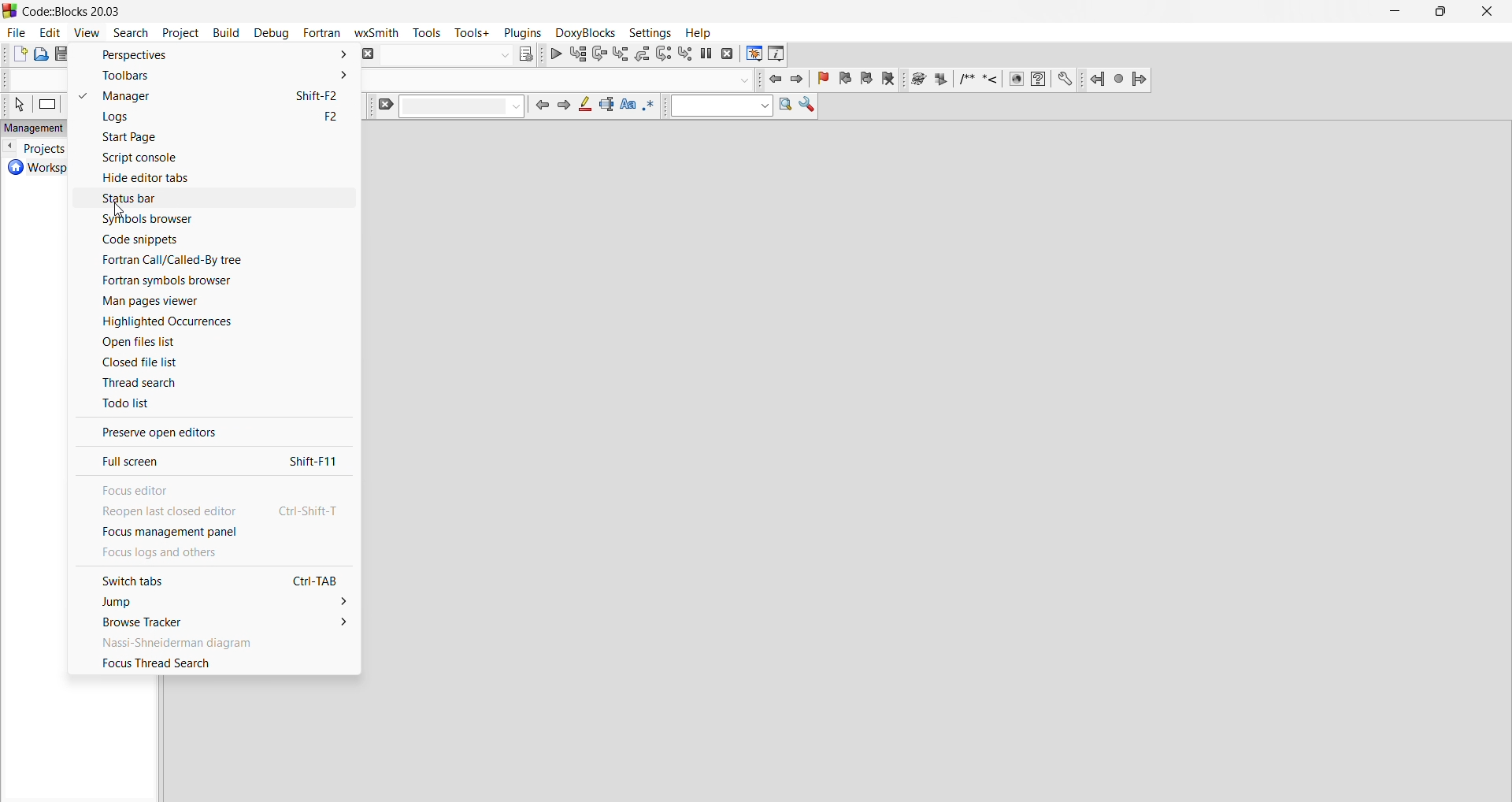  What do you see at coordinates (120, 209) in the screenshot?
I see `cursor` at bounding box center [120, 209].